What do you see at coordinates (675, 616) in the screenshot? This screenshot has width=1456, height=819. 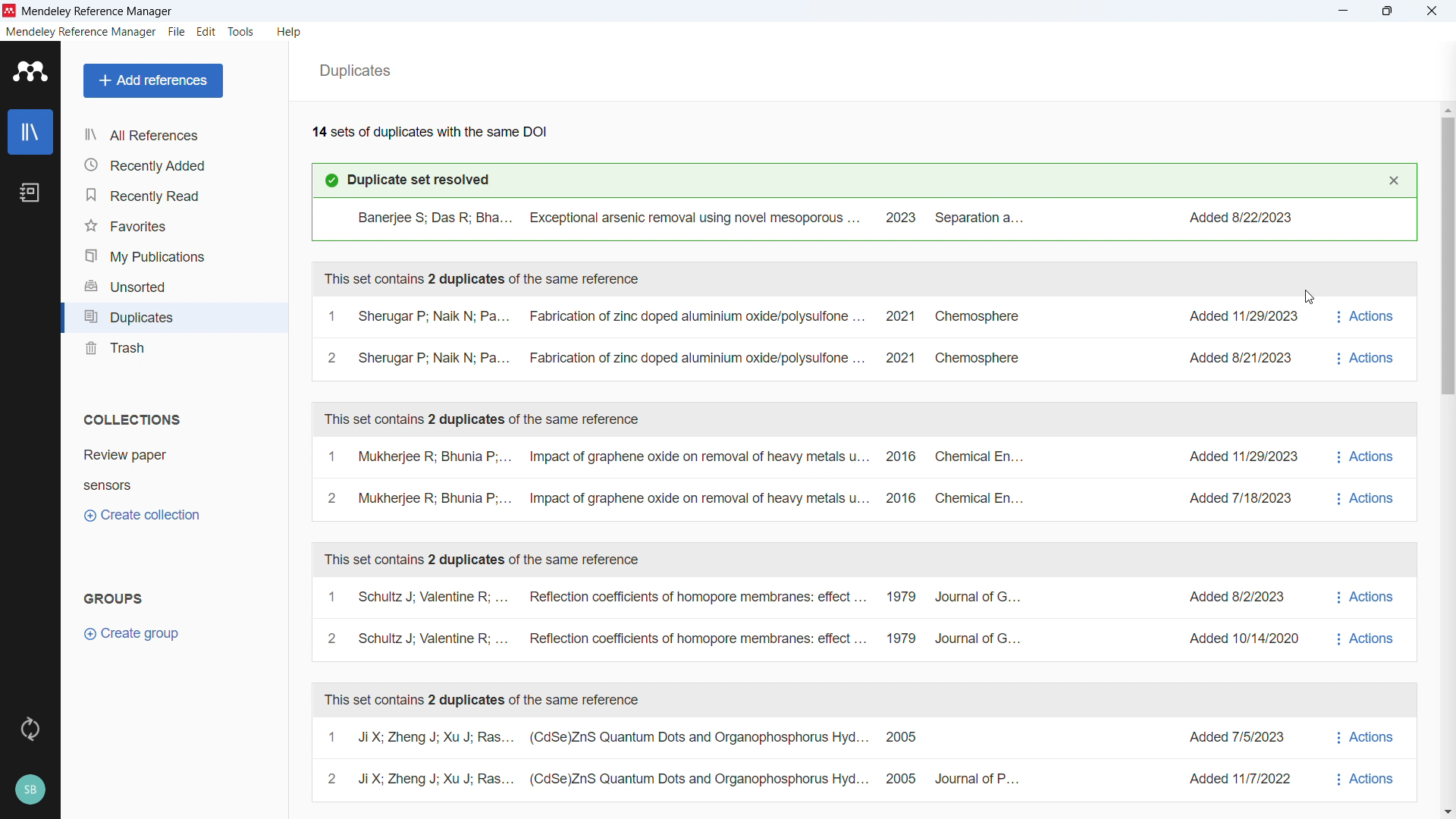 I see `Set of duplicates ` at bounding box center [675, 616].